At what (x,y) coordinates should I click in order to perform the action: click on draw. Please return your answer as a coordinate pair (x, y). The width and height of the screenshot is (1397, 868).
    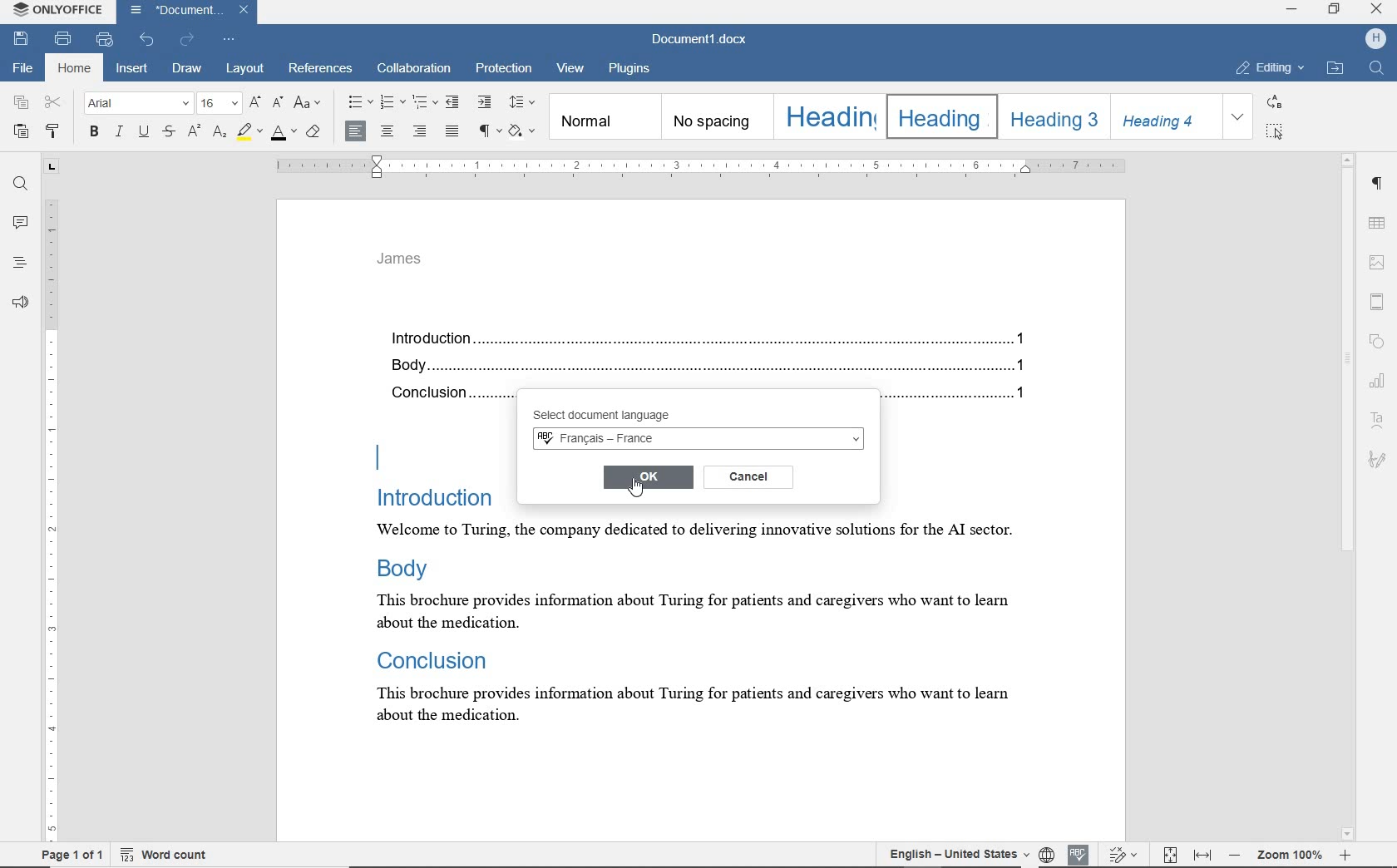
    Looking at the image, I should click on (190, 70).